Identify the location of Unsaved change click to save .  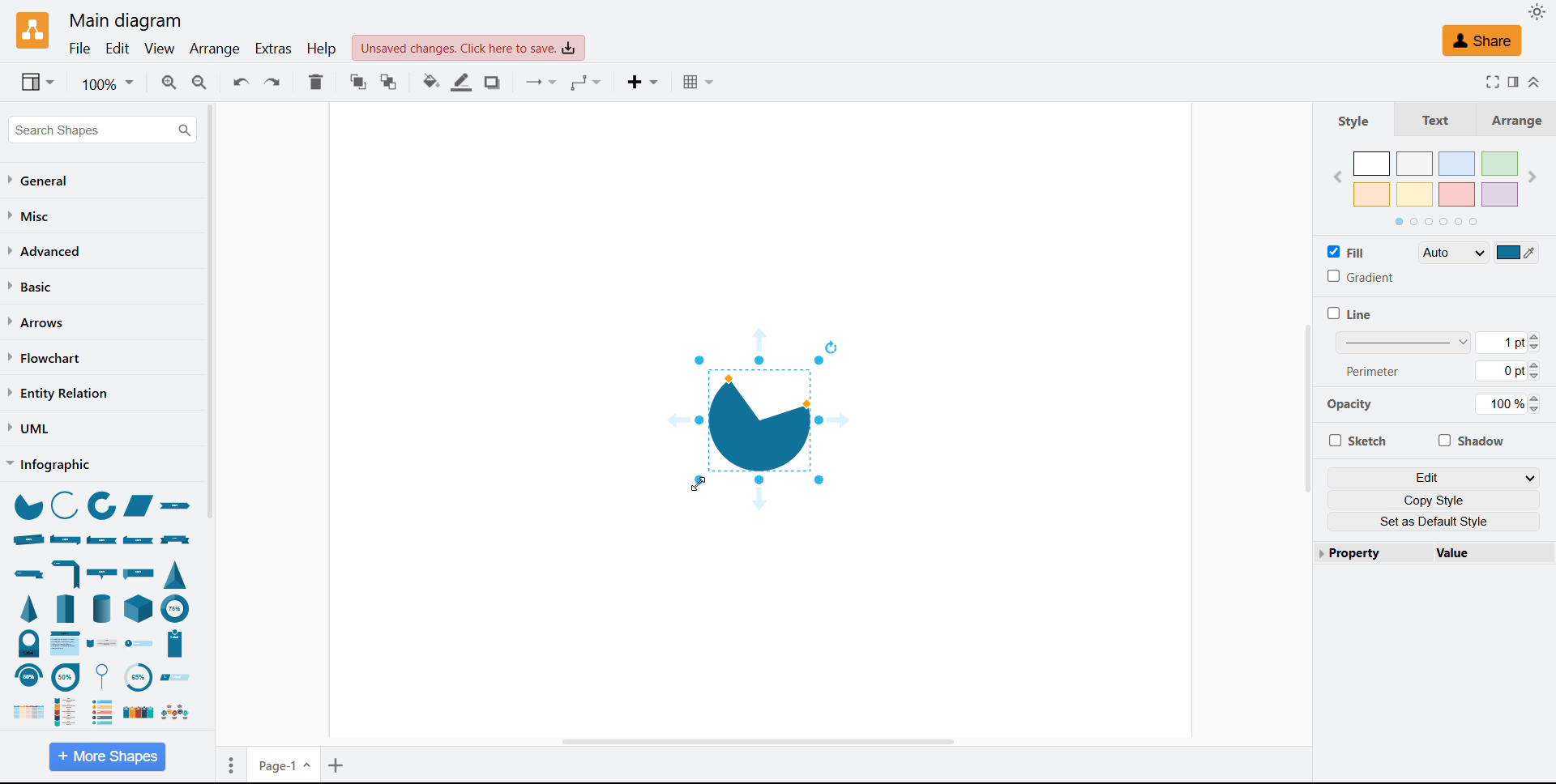
(468, 48).